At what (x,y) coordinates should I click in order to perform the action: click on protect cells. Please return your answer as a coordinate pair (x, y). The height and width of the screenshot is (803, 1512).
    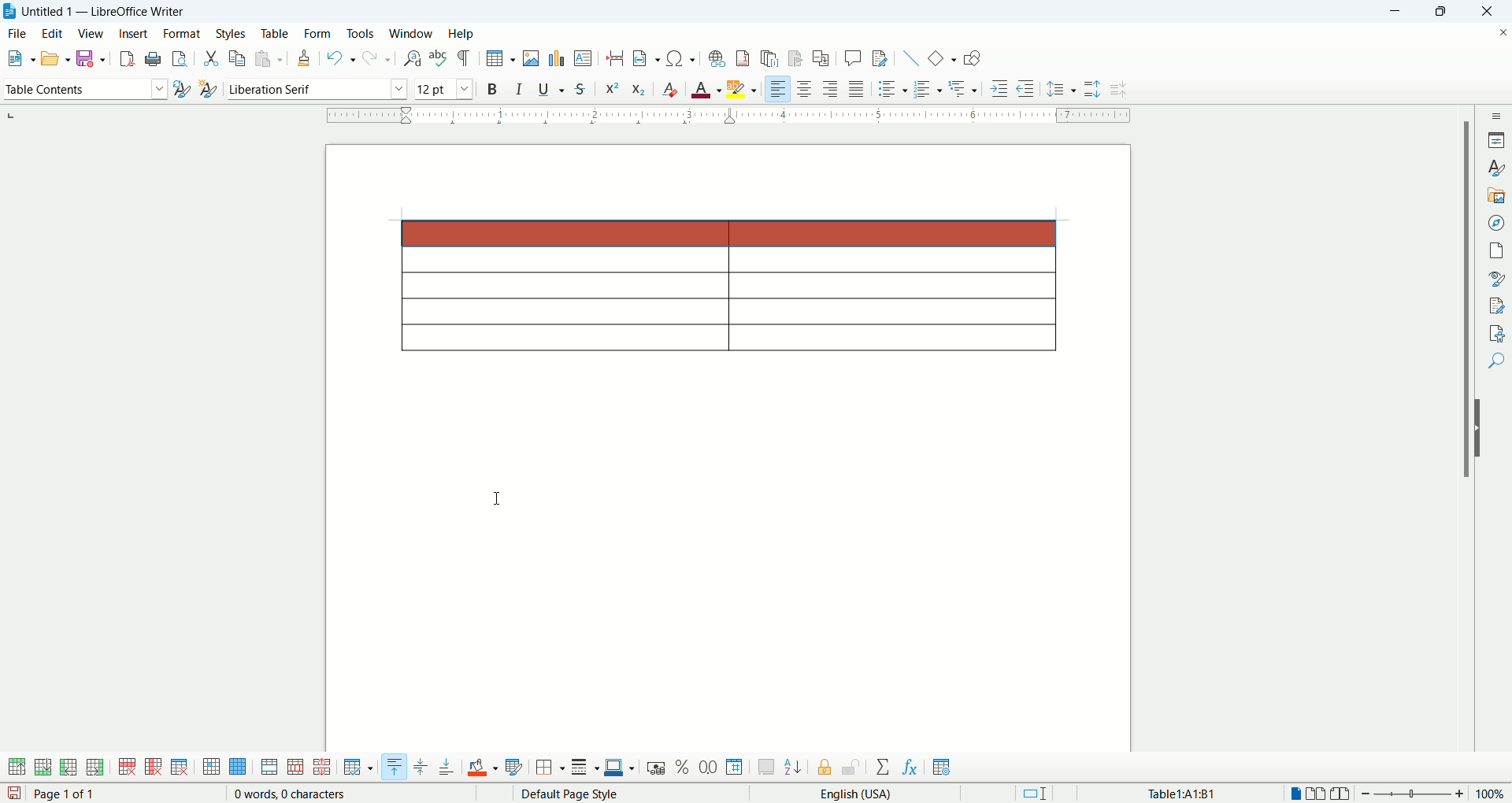
    Looking at the image, I should click on (823, 769).